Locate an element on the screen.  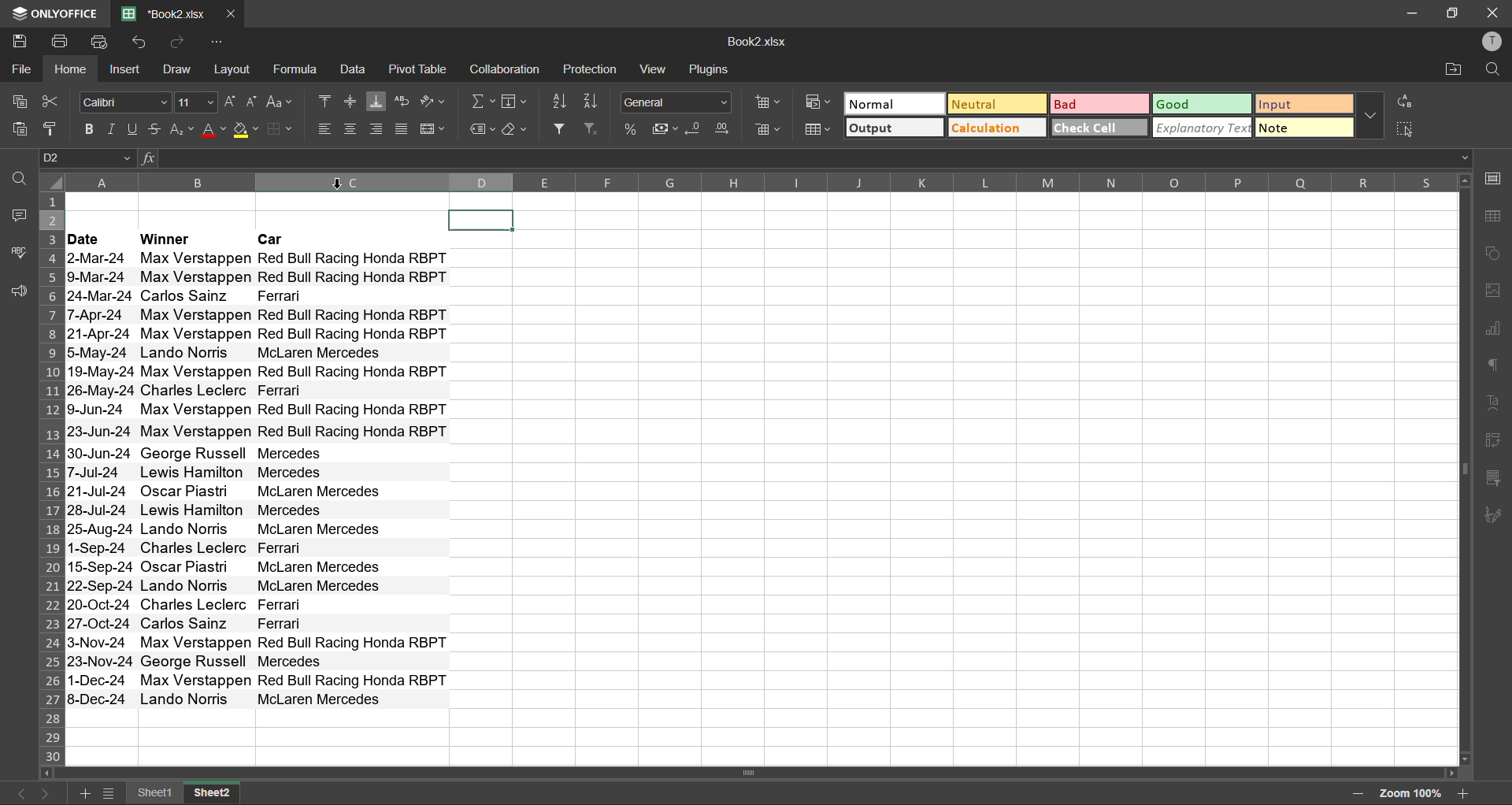
next is located at coordinates (50, 794).